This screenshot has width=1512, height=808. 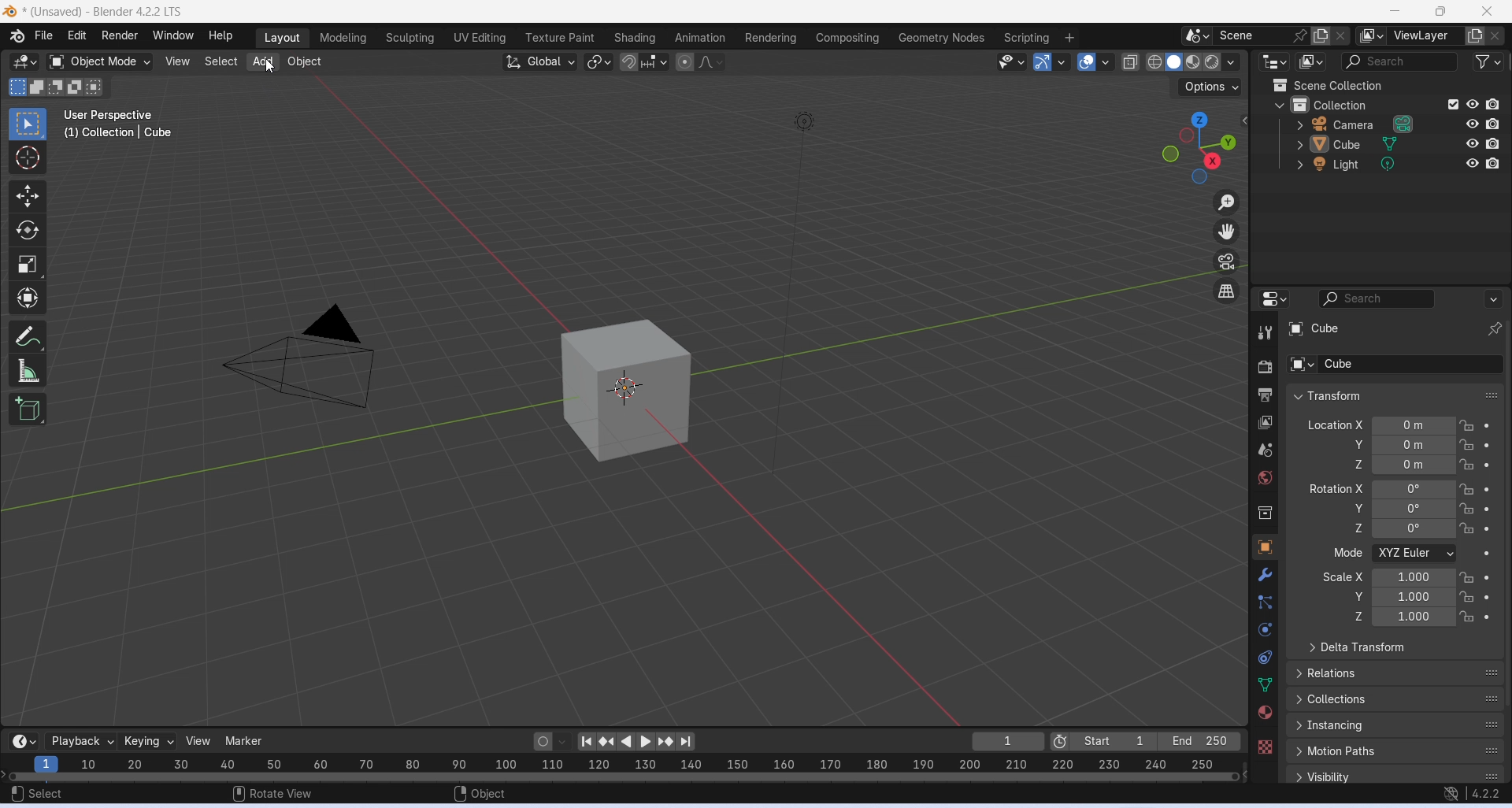 What do you see at coordinates (1232, 62) in the screenshot?
I see `shading` at bounding box center [1232, 62].